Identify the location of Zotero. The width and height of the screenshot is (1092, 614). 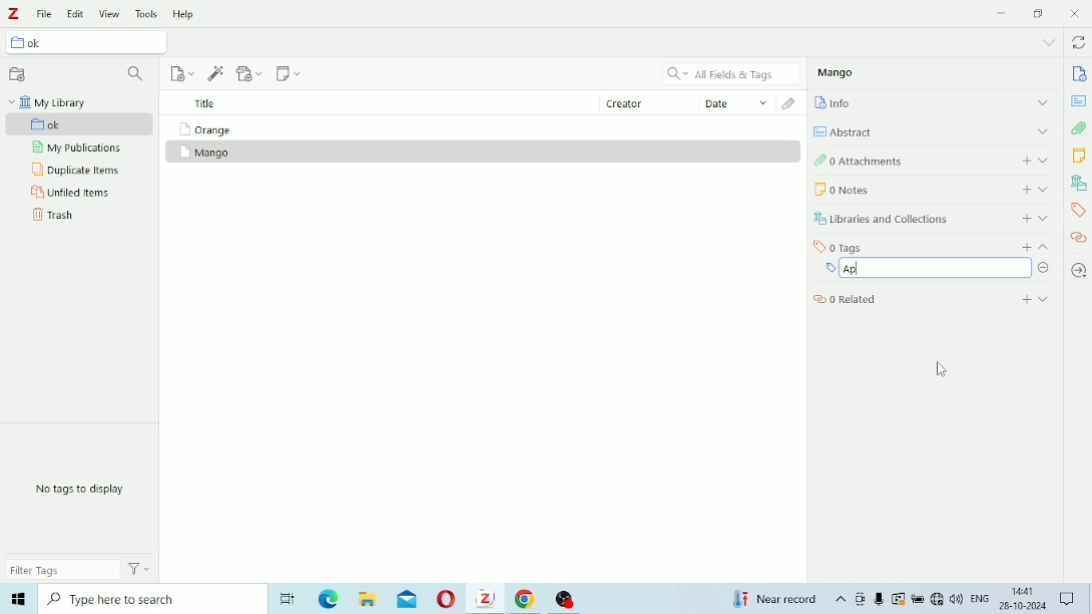
(487, 599).